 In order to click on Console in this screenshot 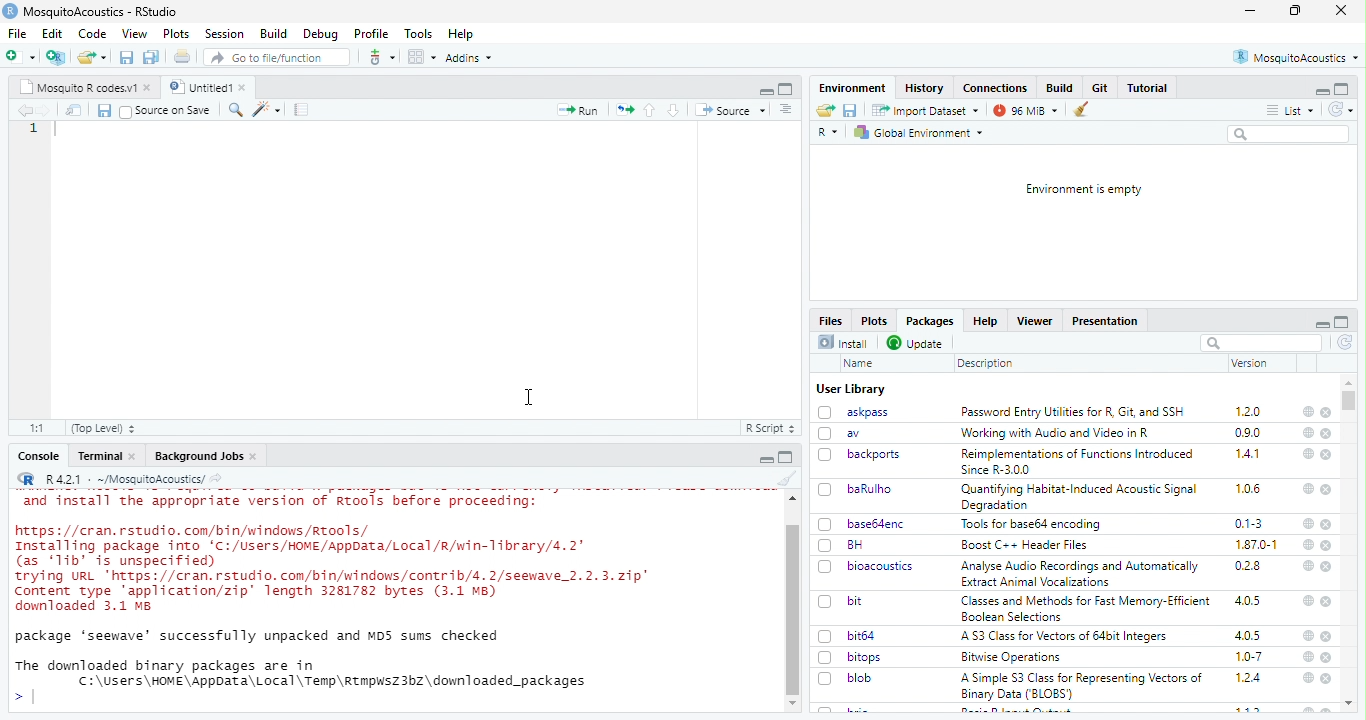, I will do `click(40, 456)`.